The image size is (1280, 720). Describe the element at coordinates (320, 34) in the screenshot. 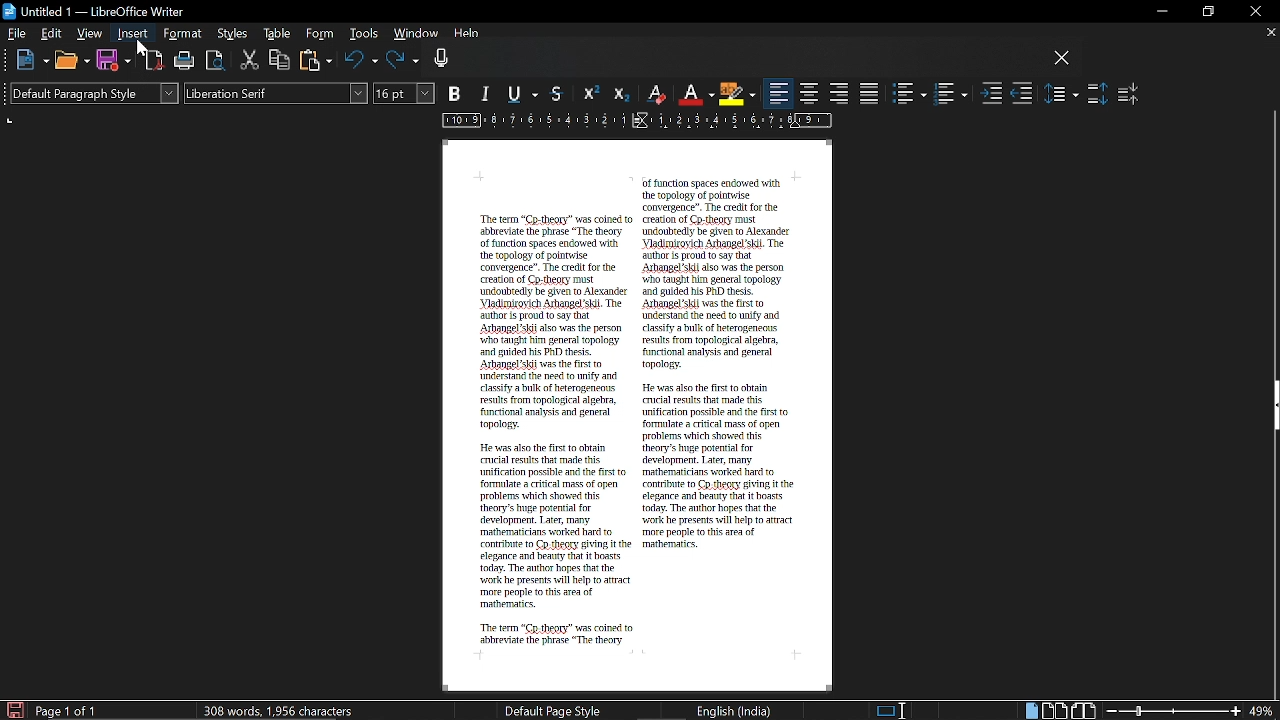

I see `Form` at that location.